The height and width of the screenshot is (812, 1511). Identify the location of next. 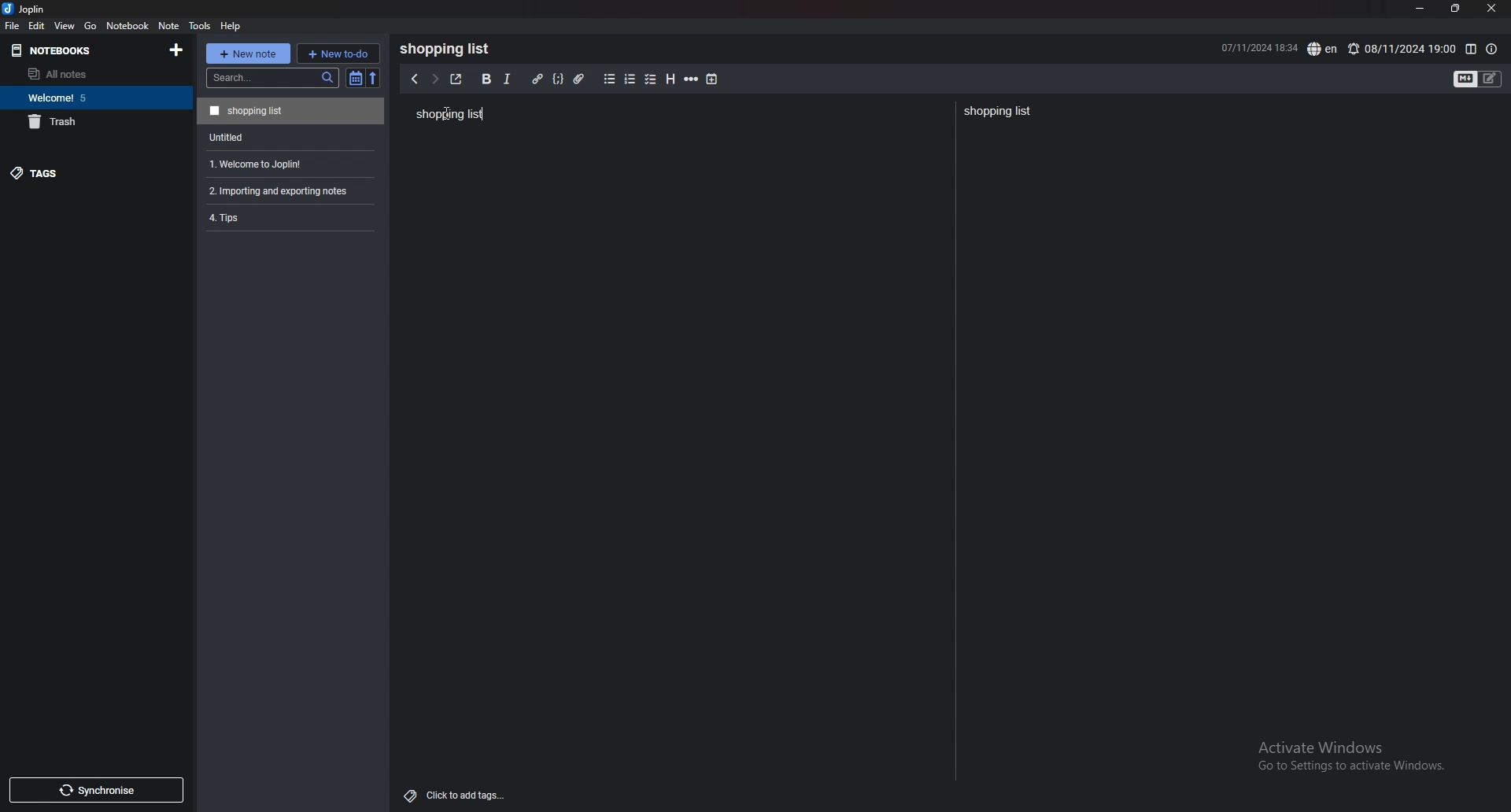
(434, 79).